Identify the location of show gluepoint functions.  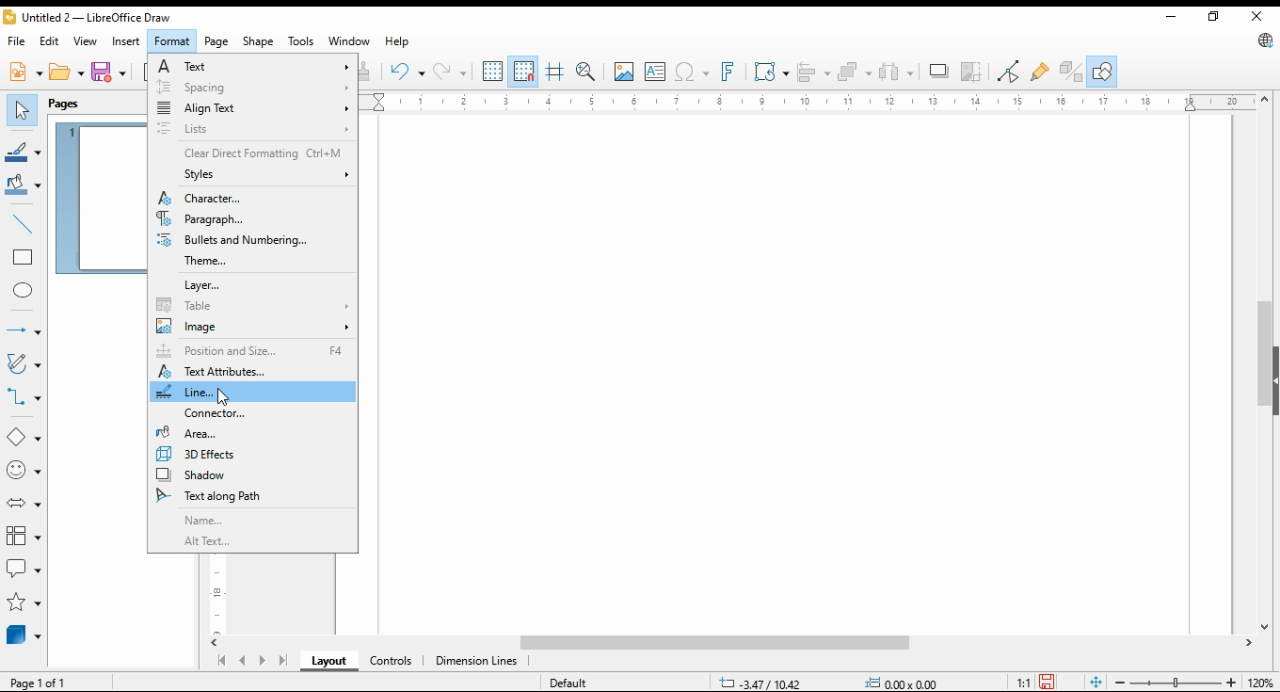
(1038, 71).